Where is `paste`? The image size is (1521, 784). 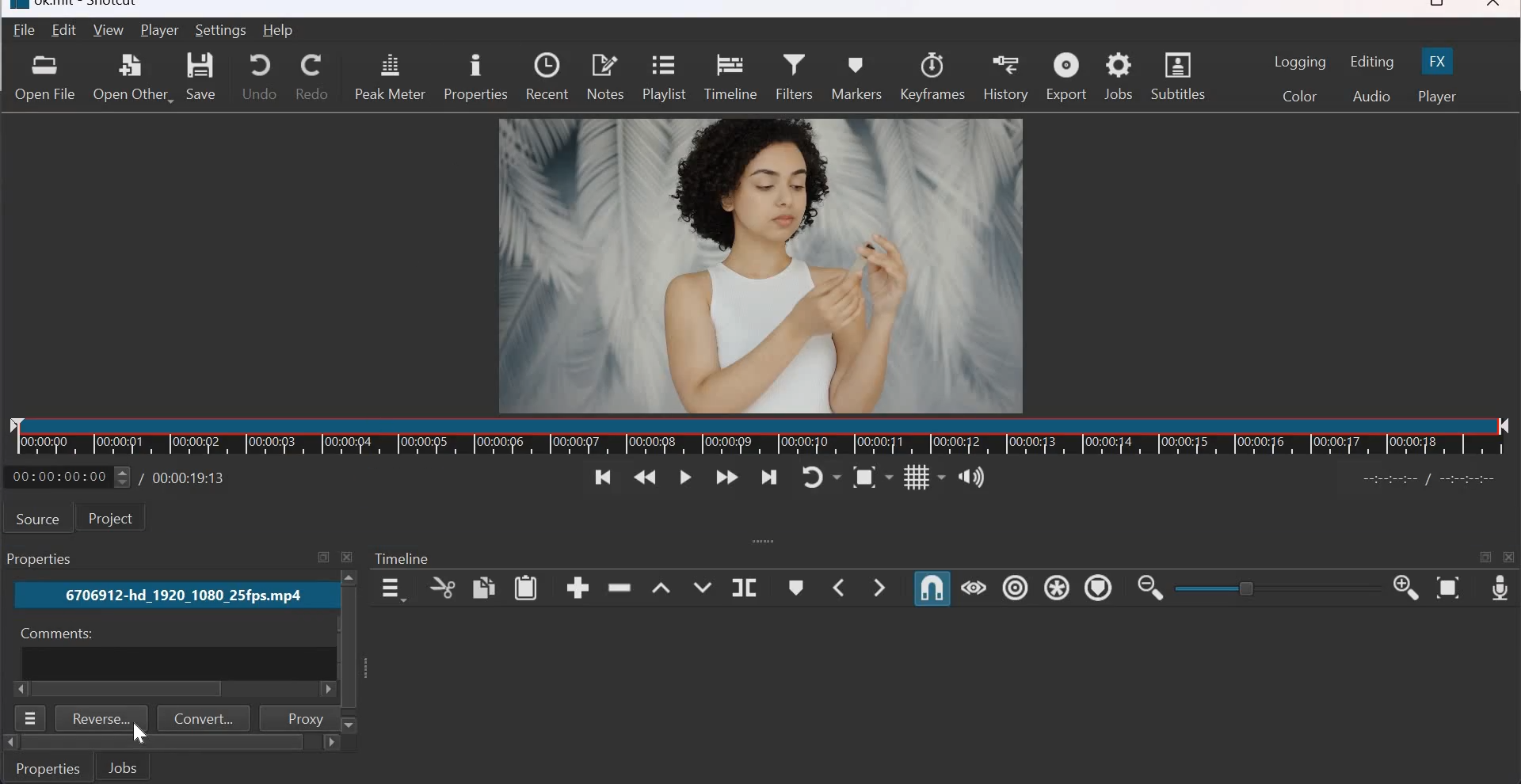 paste is located at coordinates (527, 588).